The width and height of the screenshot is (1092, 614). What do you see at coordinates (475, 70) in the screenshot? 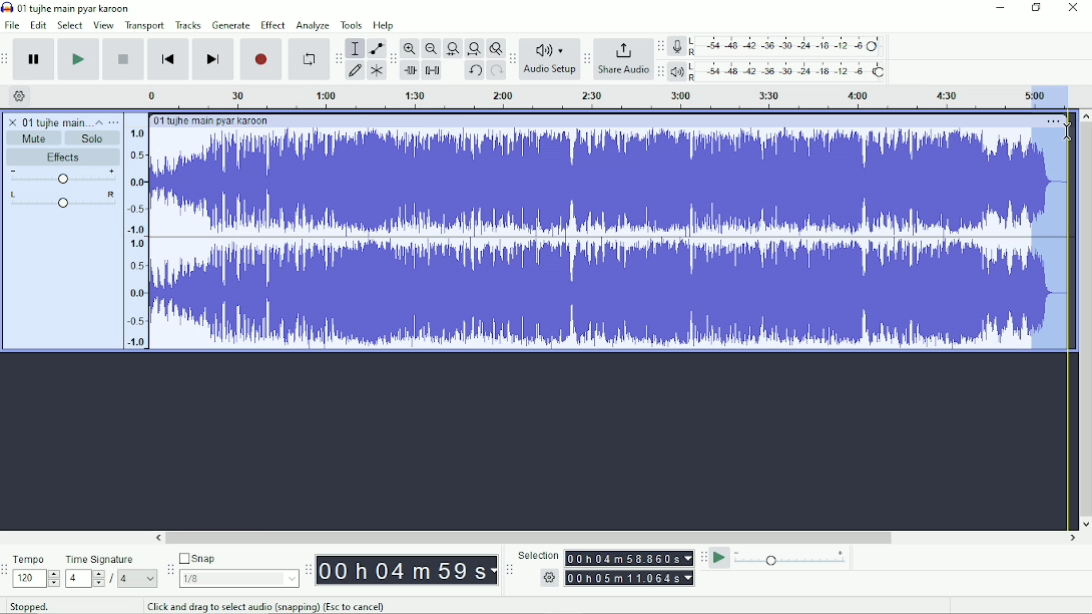
I see `Undo` at bounding box center [475, 70].